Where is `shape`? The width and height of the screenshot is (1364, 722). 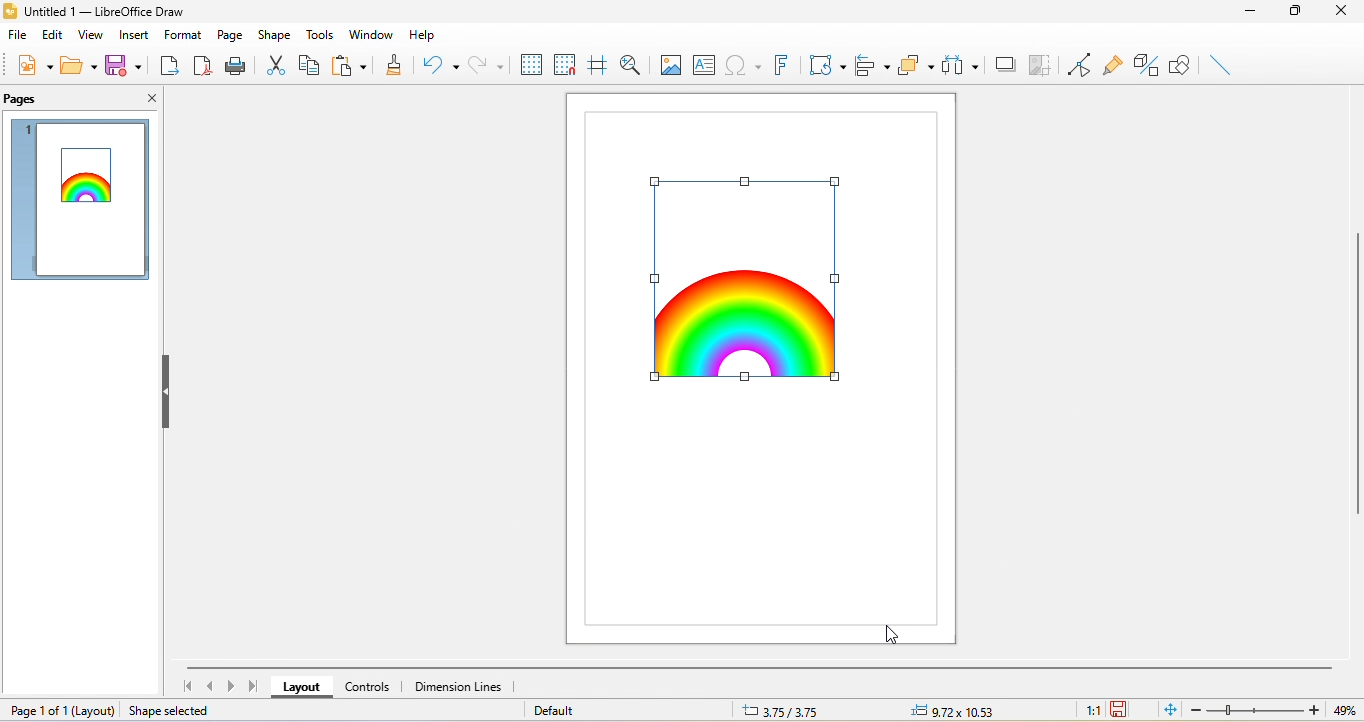 shape is located at coordinates (275, 34).